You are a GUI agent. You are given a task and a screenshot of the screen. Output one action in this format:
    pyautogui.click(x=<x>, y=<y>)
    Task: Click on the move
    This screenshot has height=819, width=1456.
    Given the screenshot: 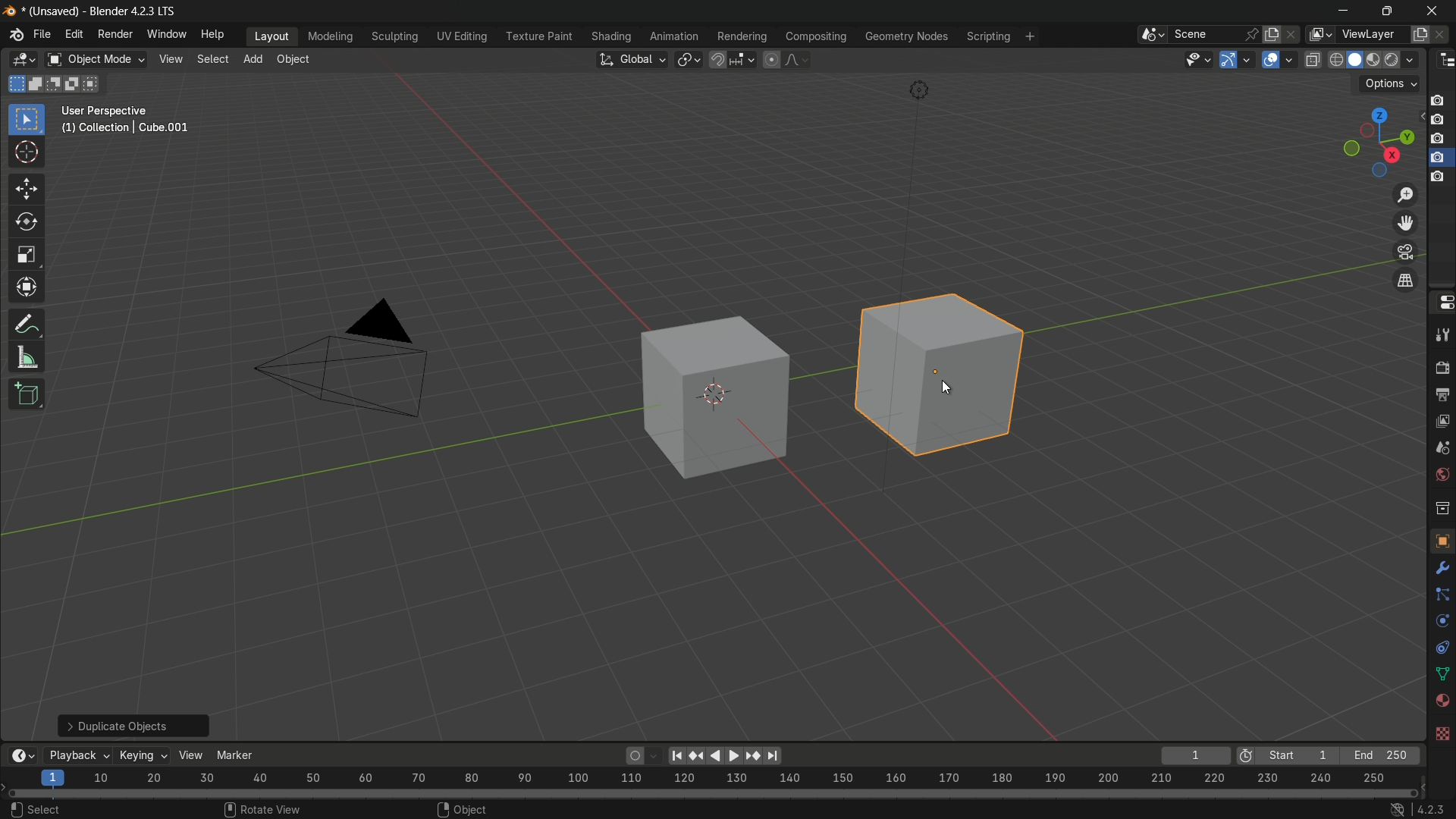 What is the action you would take?
    pyautogui.click(x=26, y=187)
    